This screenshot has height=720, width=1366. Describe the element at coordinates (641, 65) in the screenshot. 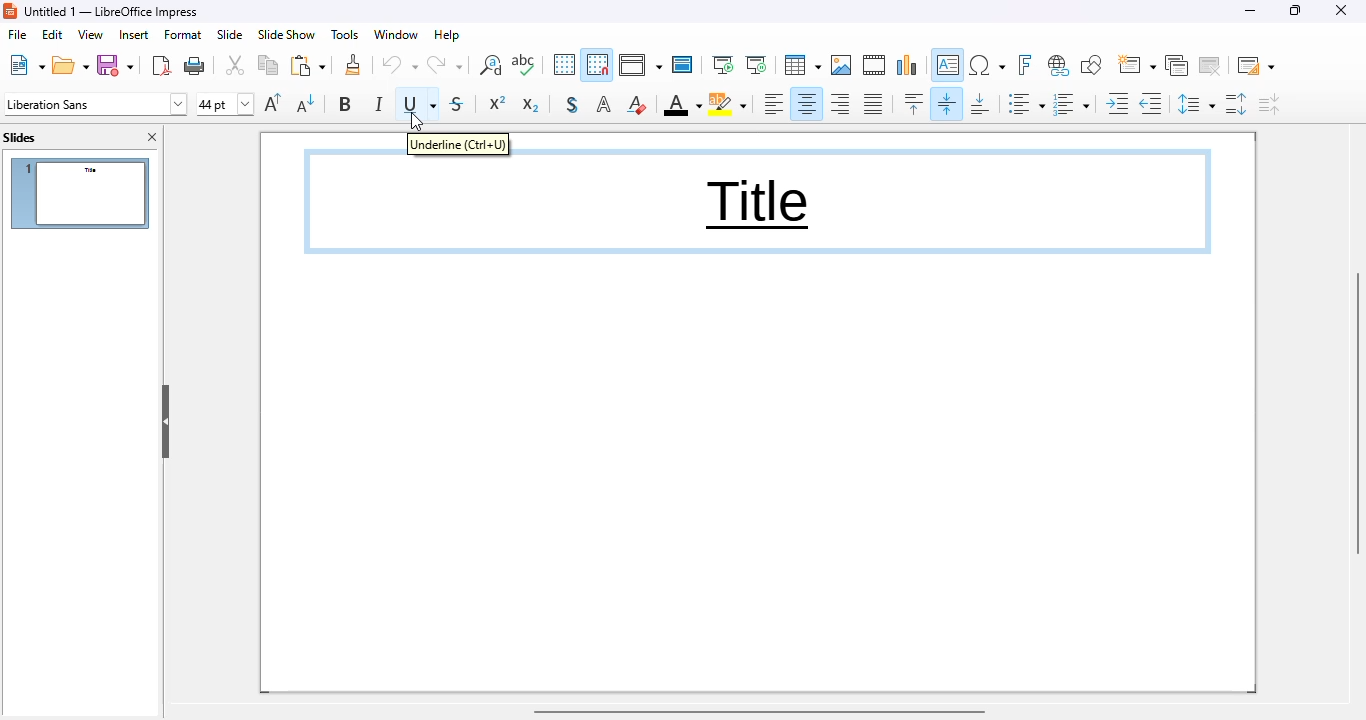

I see `display views` at that location.